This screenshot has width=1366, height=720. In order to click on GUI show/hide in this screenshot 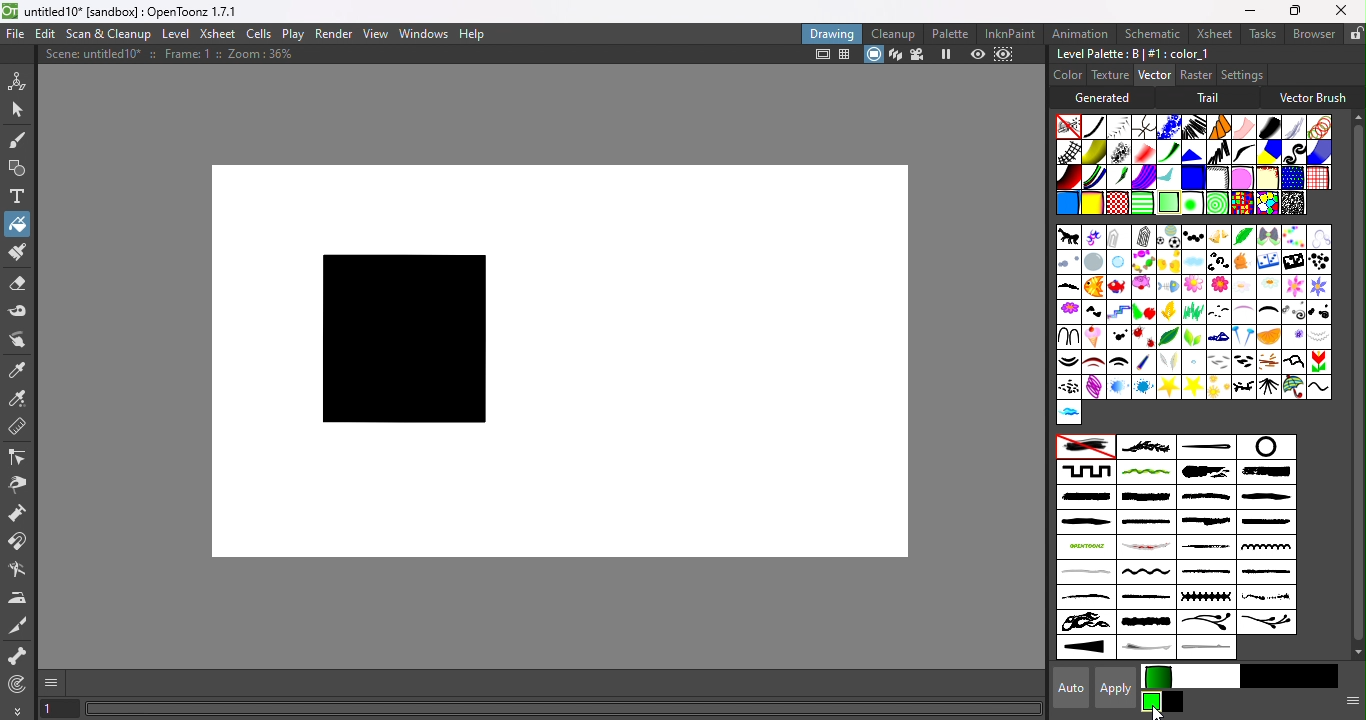, I will do `click(53, 683)`.